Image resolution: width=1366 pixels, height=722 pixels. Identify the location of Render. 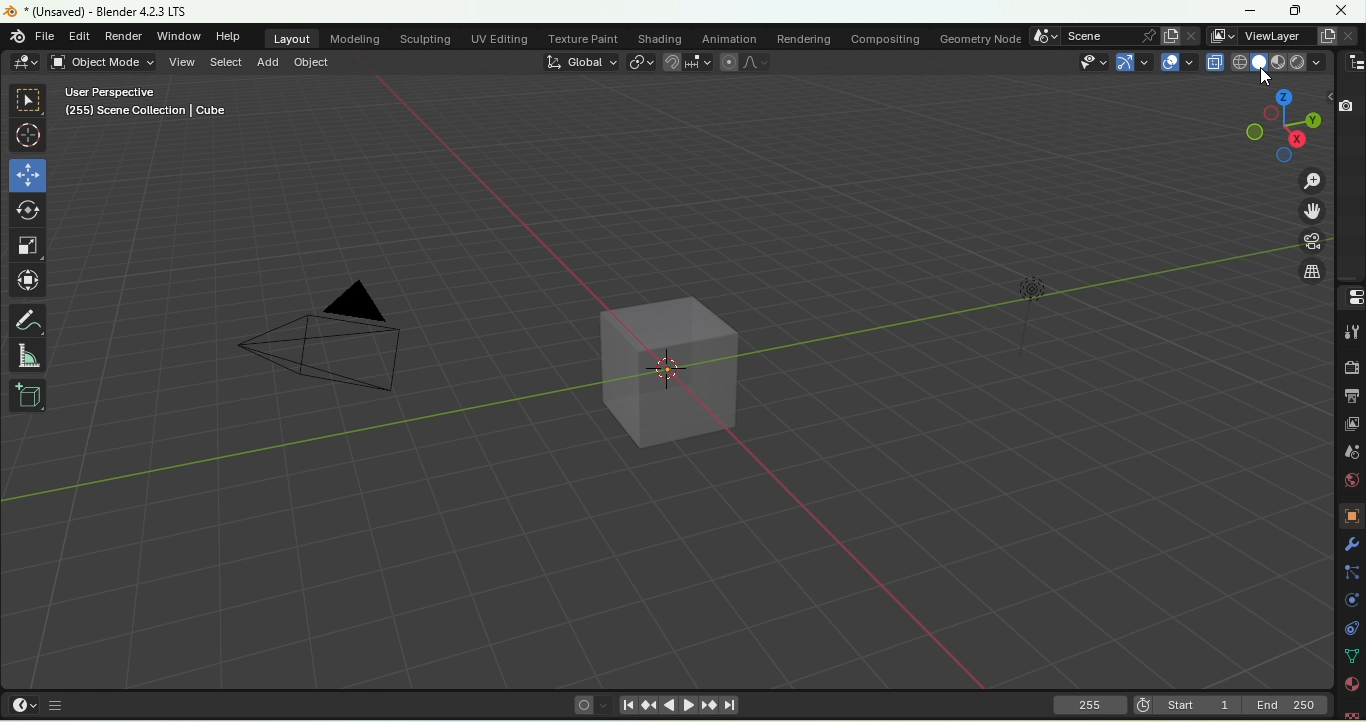
(1351, 366).